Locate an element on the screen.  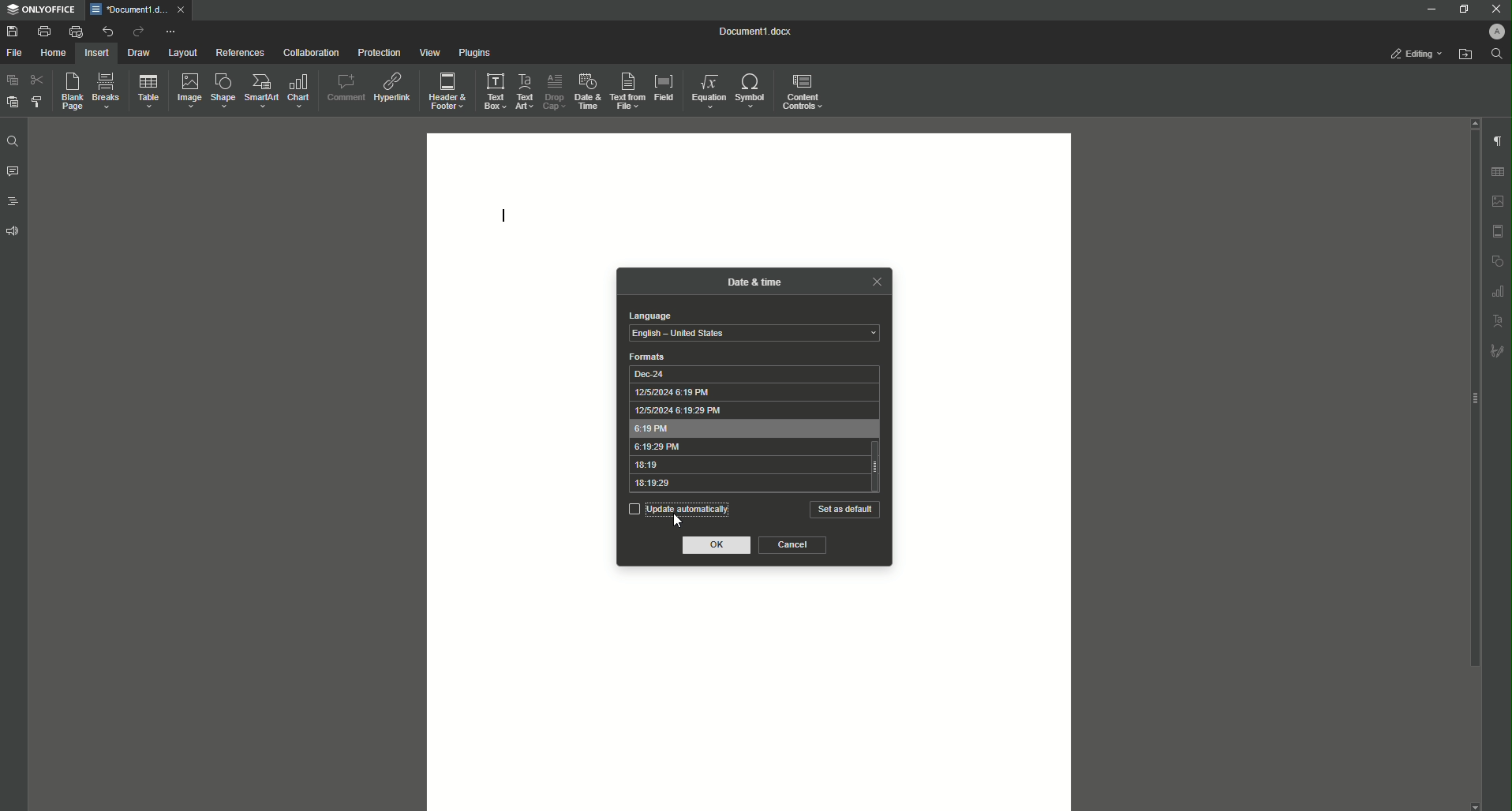
close is located at coordinates (181, 9).